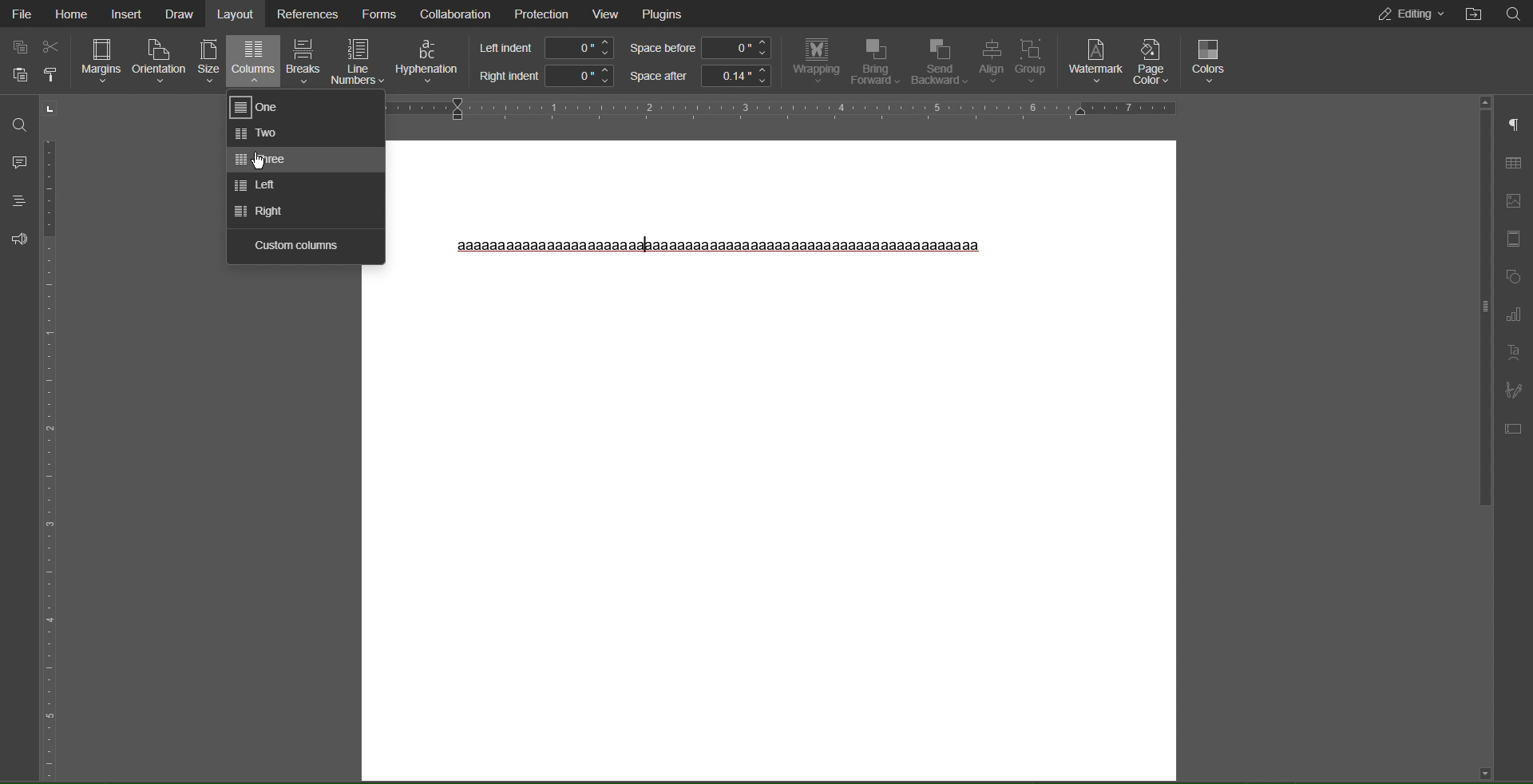 Image resolution: width=1533 pixels, height=784 pixels. I want to click on Graph Settings, so click(1514, 315).